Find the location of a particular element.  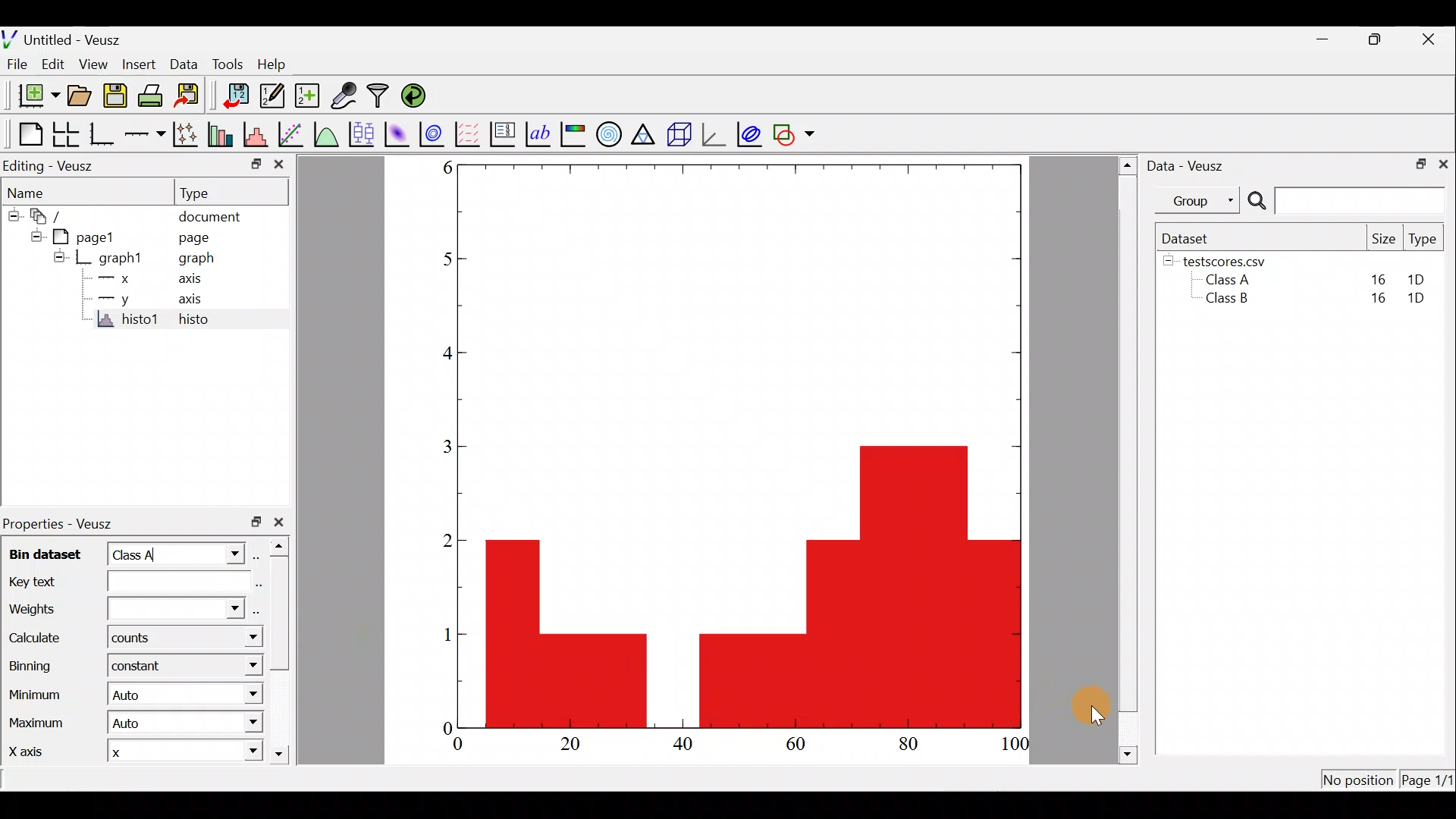

axis is located at coordinates (193, 281).